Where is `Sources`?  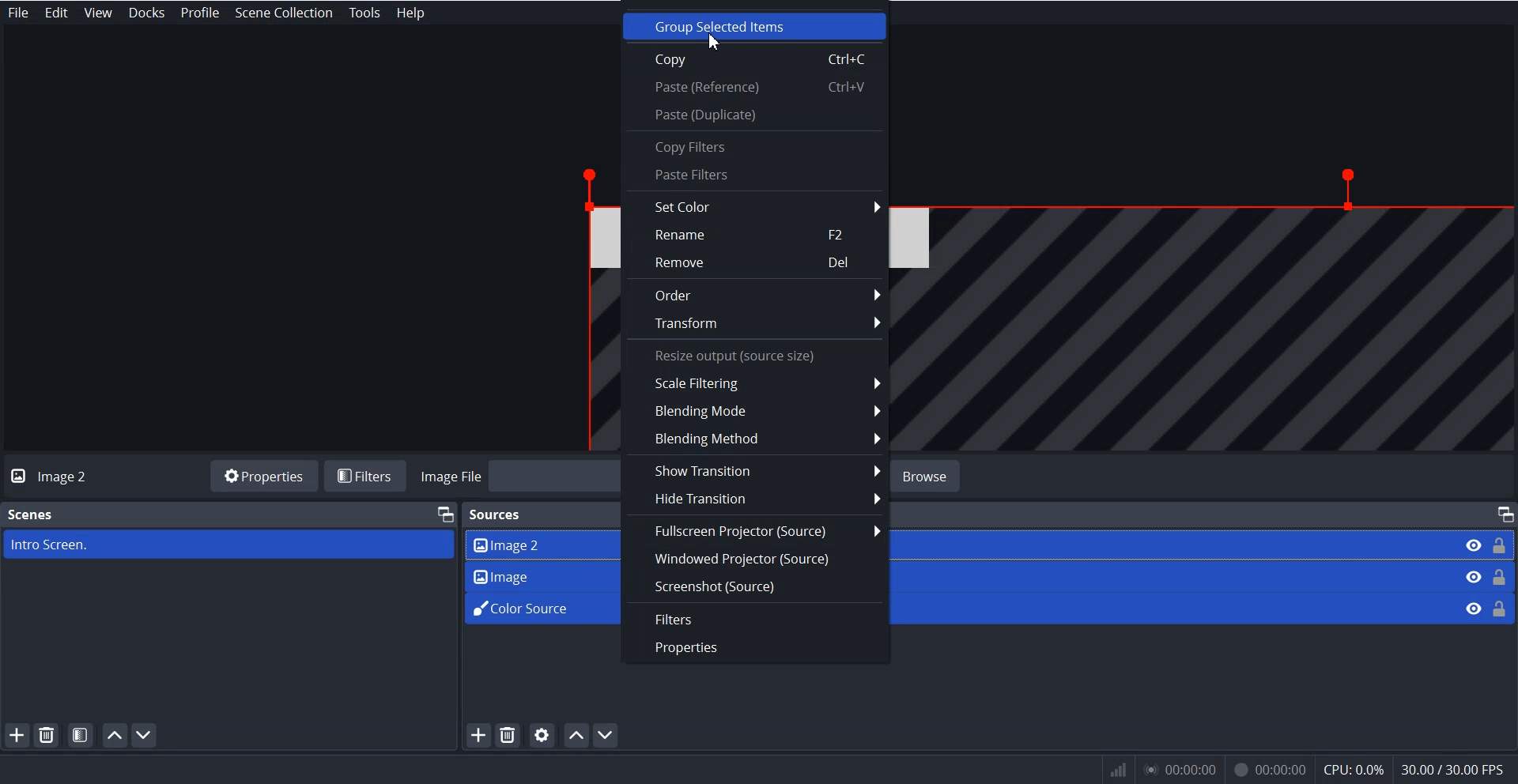 Sources is located at coordinates (498, 513).